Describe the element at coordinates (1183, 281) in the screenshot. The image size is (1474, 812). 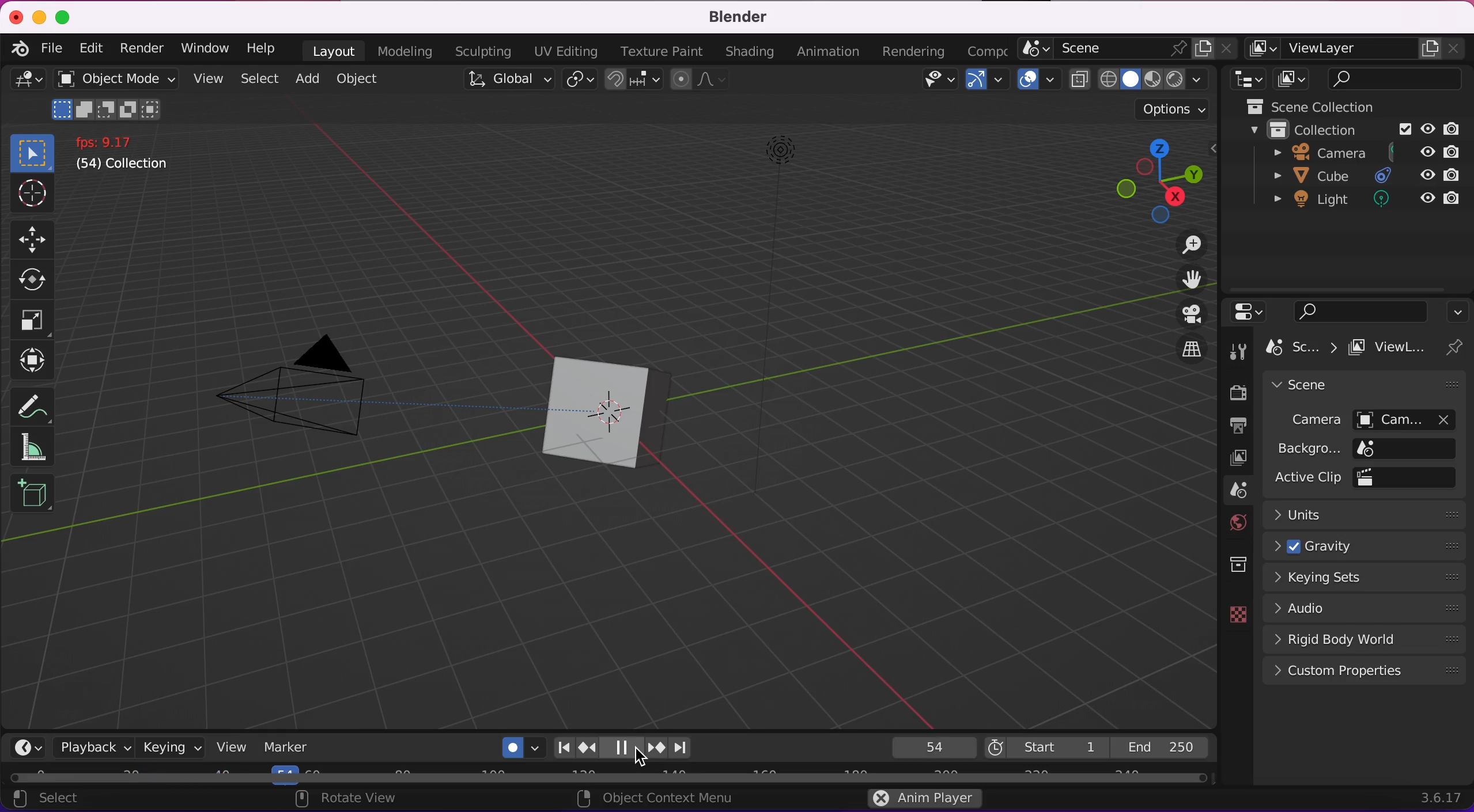
I see `move the view` at that location.